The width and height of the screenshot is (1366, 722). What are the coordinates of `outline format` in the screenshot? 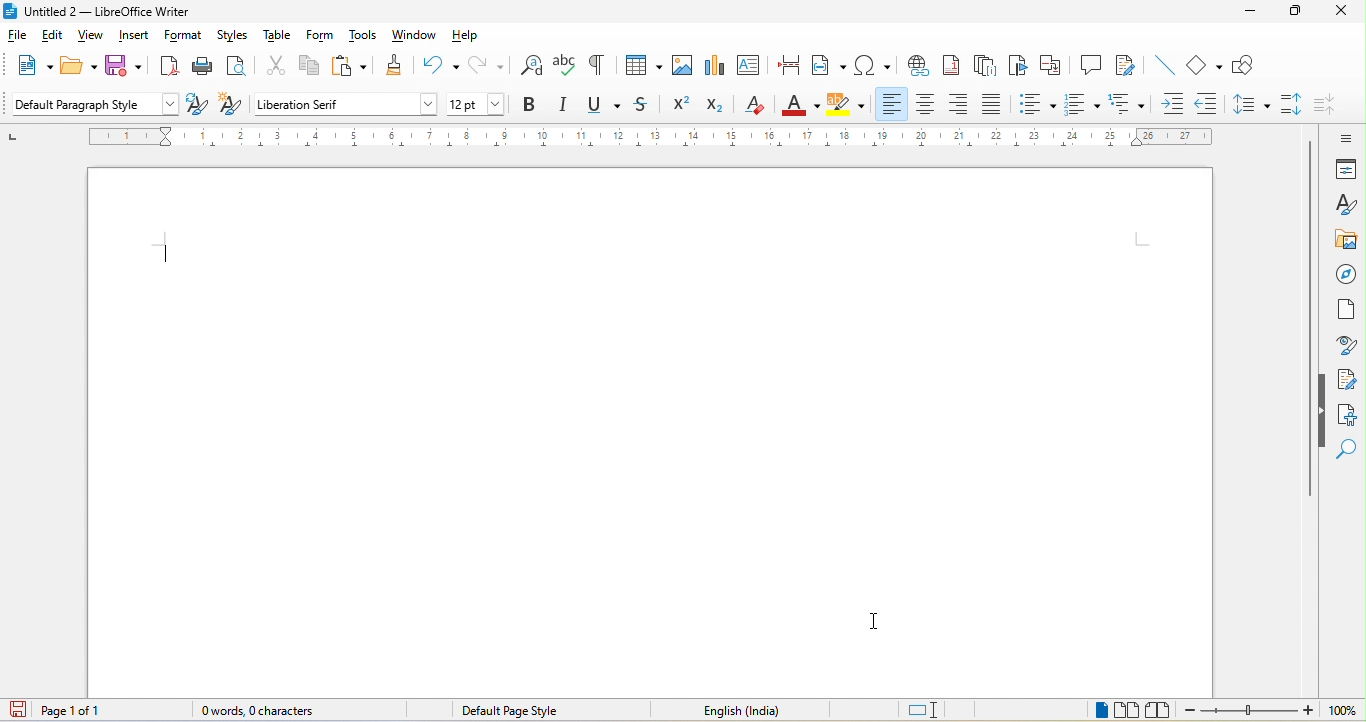 It's located at (1127, 103).